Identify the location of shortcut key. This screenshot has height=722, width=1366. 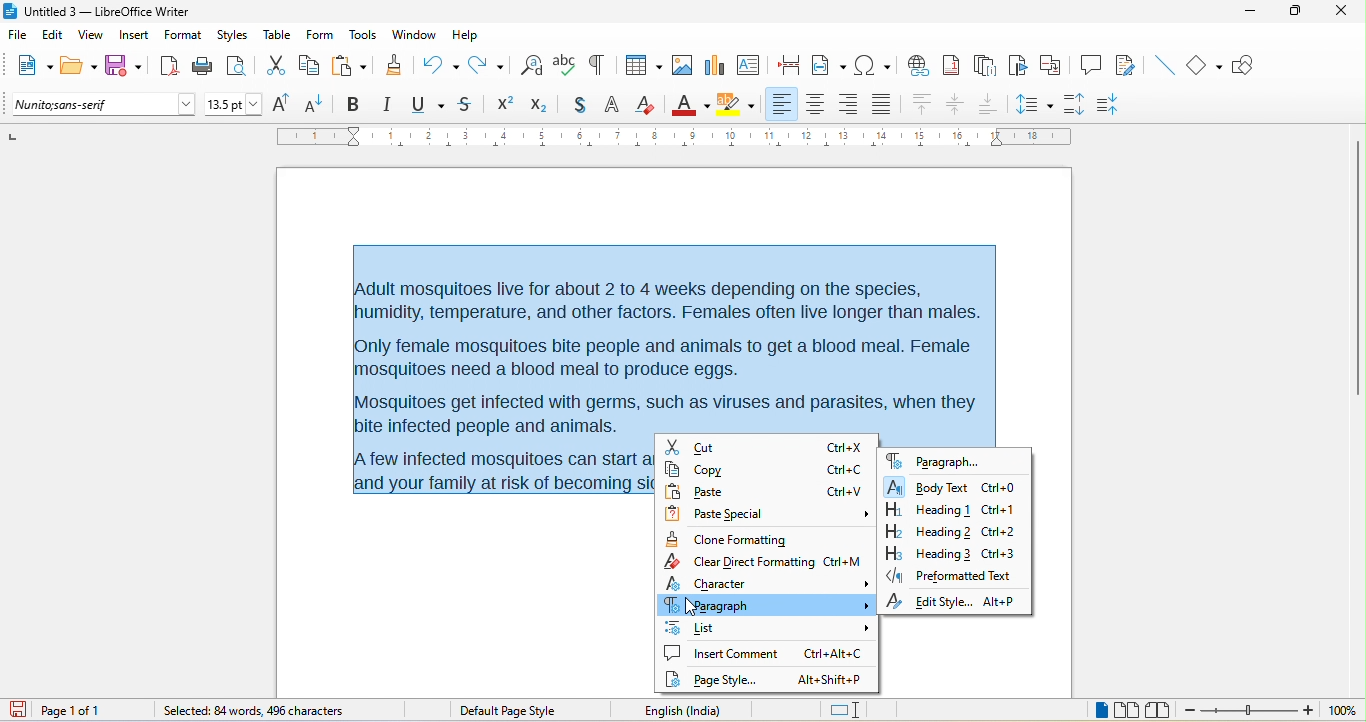
(1001, 532).